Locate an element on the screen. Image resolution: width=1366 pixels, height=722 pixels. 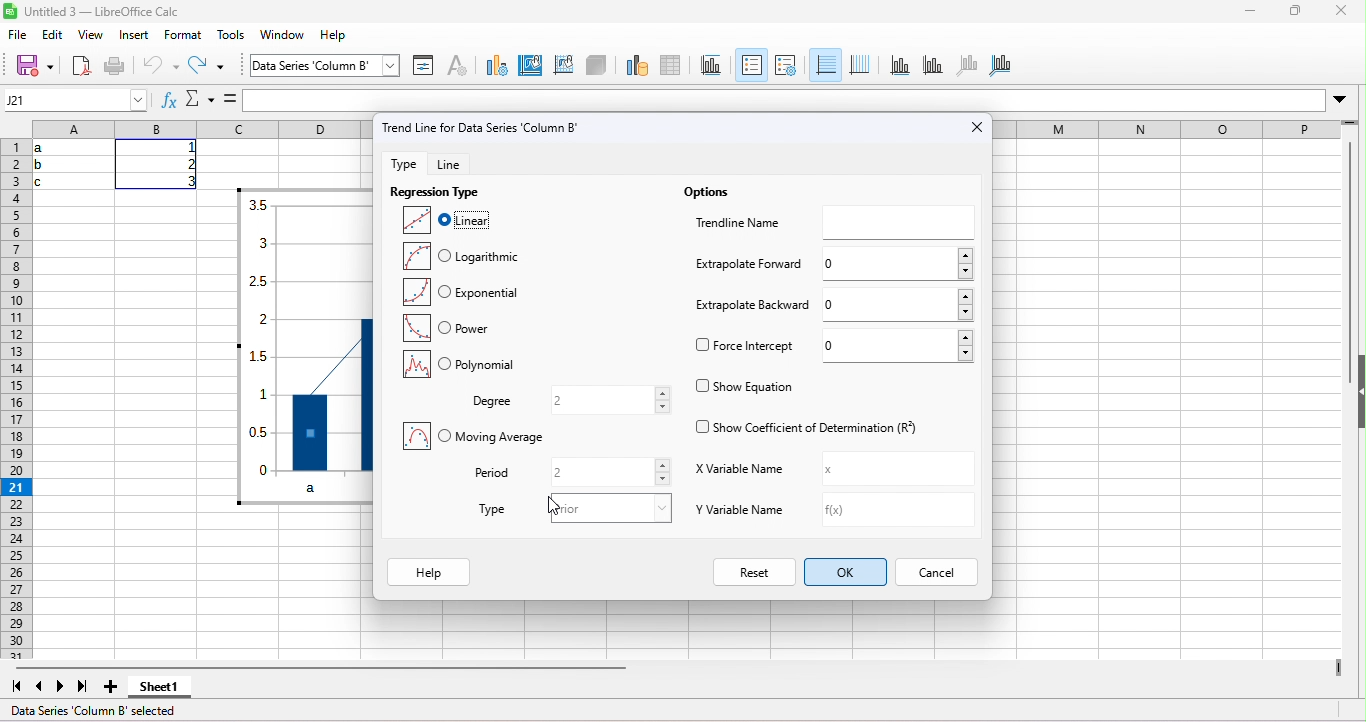
x axis is located at coordinates (903, 66).